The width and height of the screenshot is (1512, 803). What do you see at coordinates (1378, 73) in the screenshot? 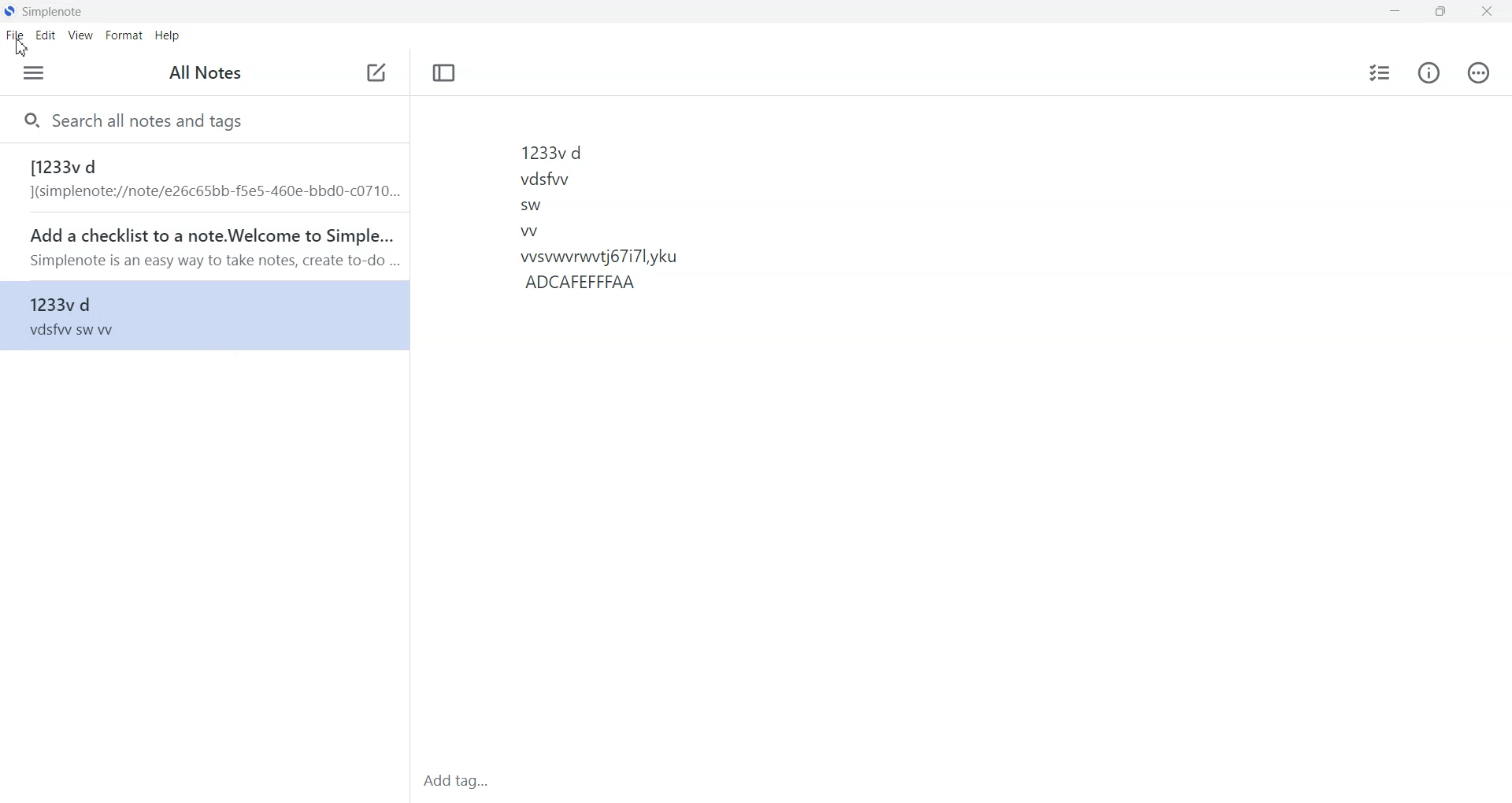
I see `Insert checklist` at bounding box center [1378, 73].